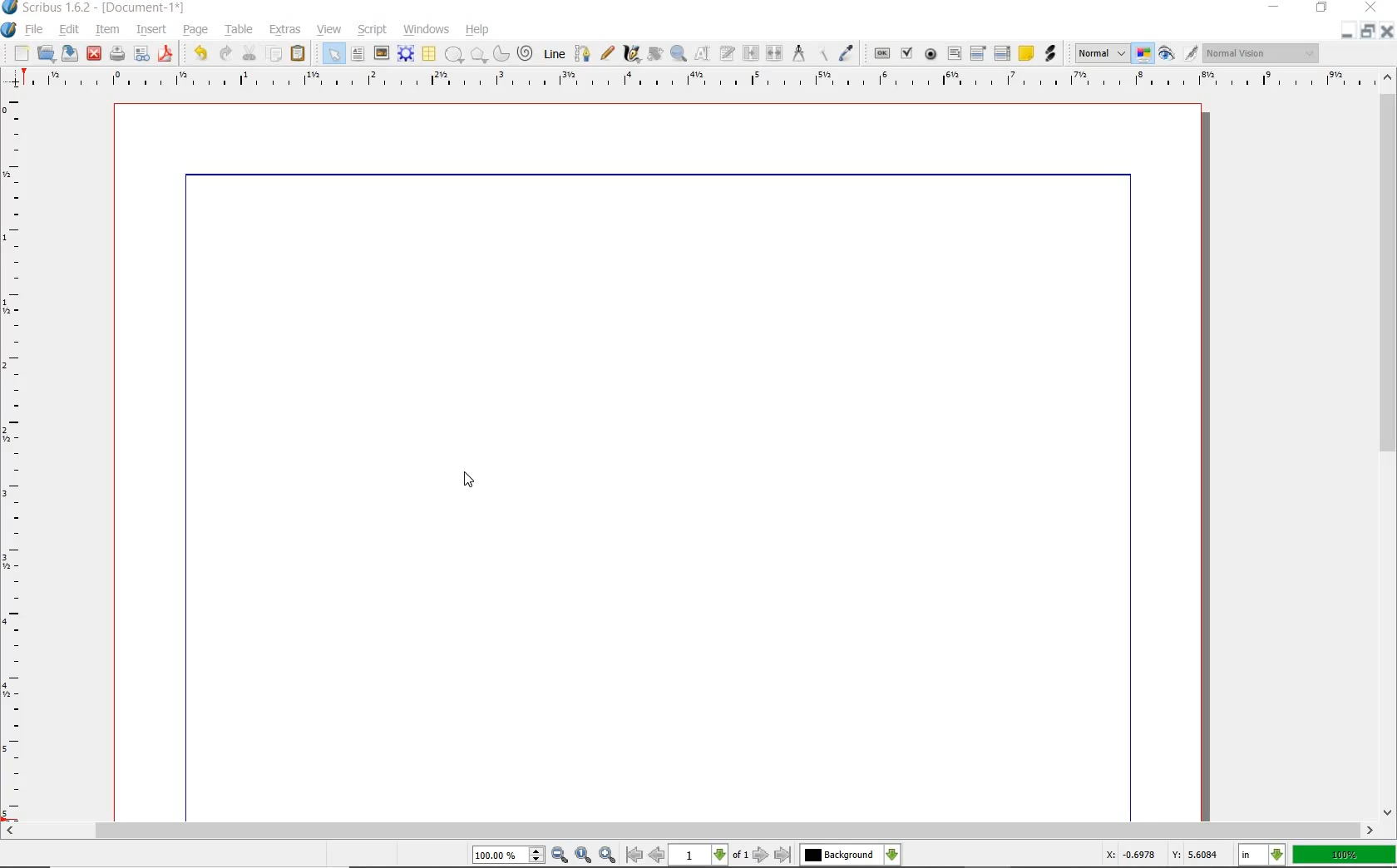 The width and height of the screenshot is (1397, 868). I want to click on coordinates, so click(1160, 855).